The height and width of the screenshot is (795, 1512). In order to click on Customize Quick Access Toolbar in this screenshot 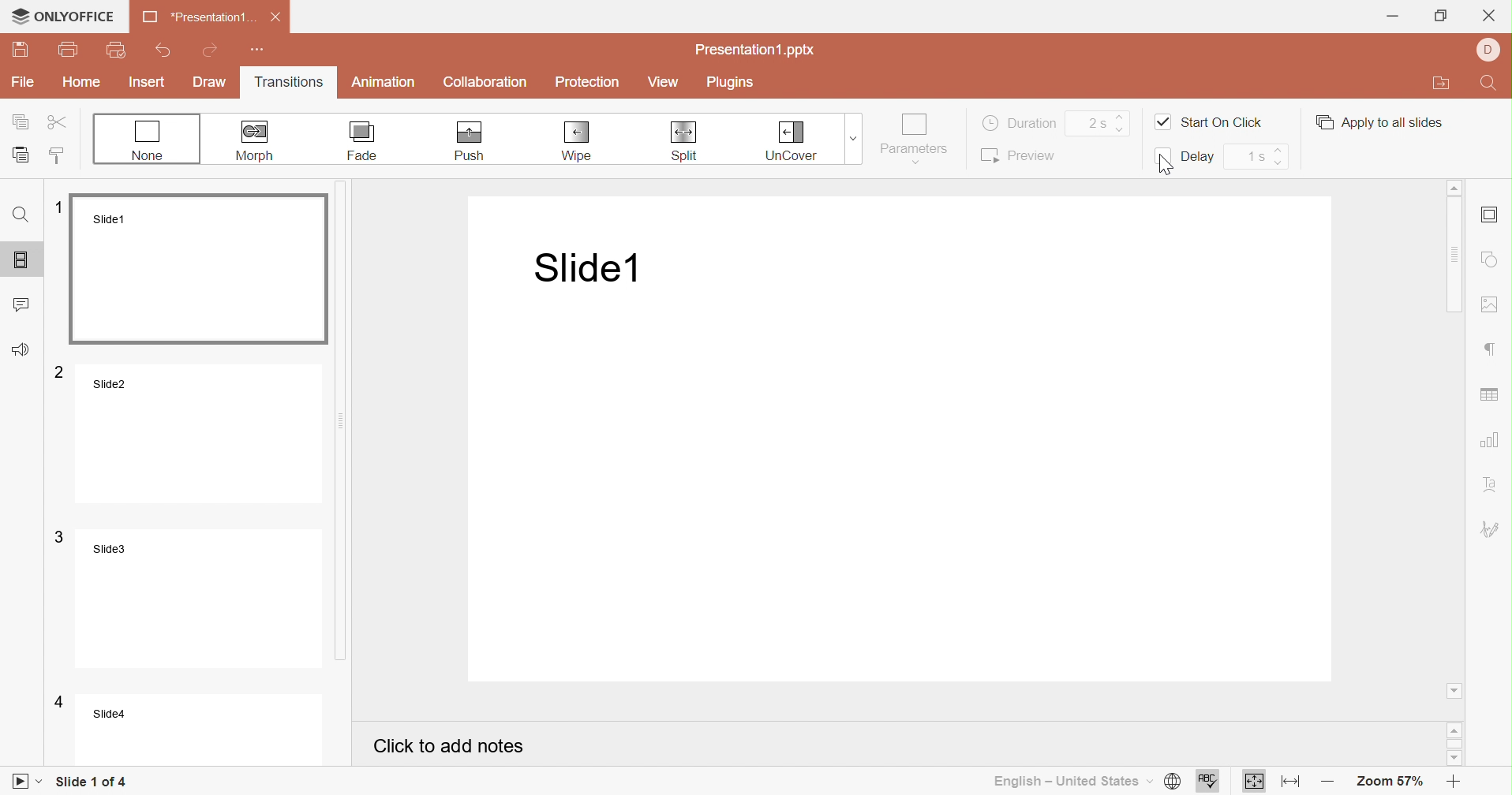, I will do `click(258, 49)`.